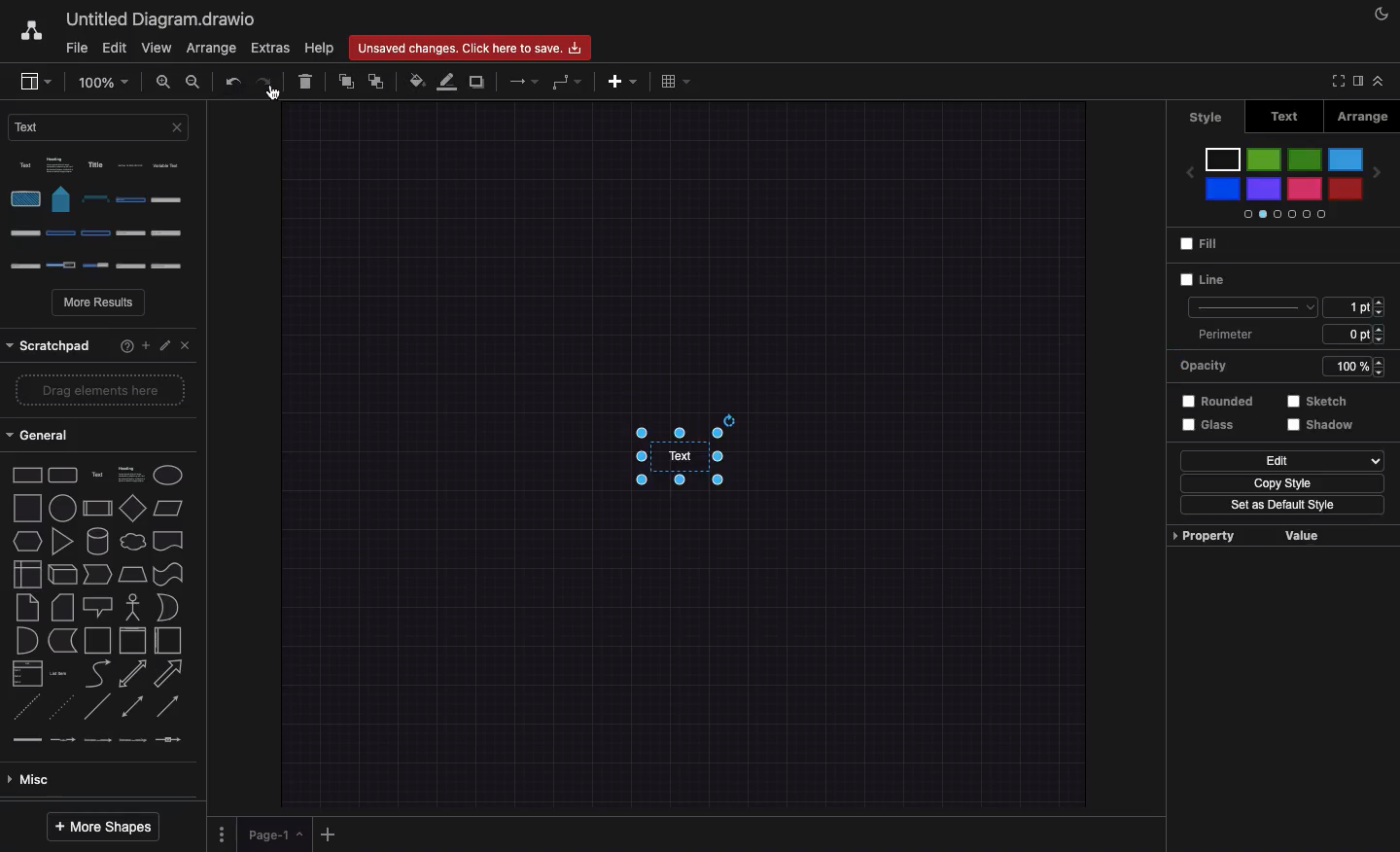 The width and height of the screenshot is (1400, 852). I want to click on Shadow, so click(1329, 430).